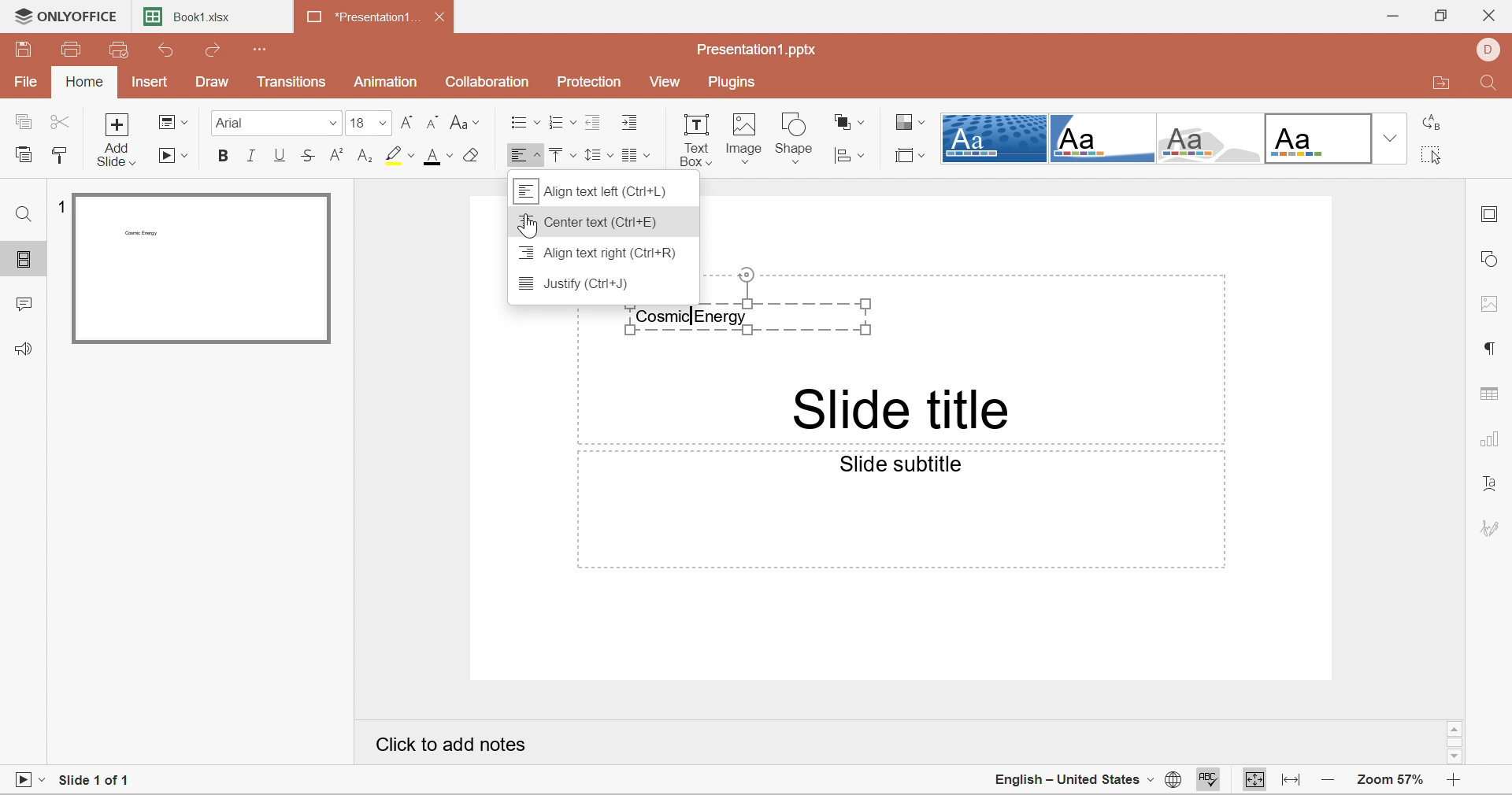  Describe the element at coordinates (407, 122) in the screenshot. I see `Increment font size` at that location.